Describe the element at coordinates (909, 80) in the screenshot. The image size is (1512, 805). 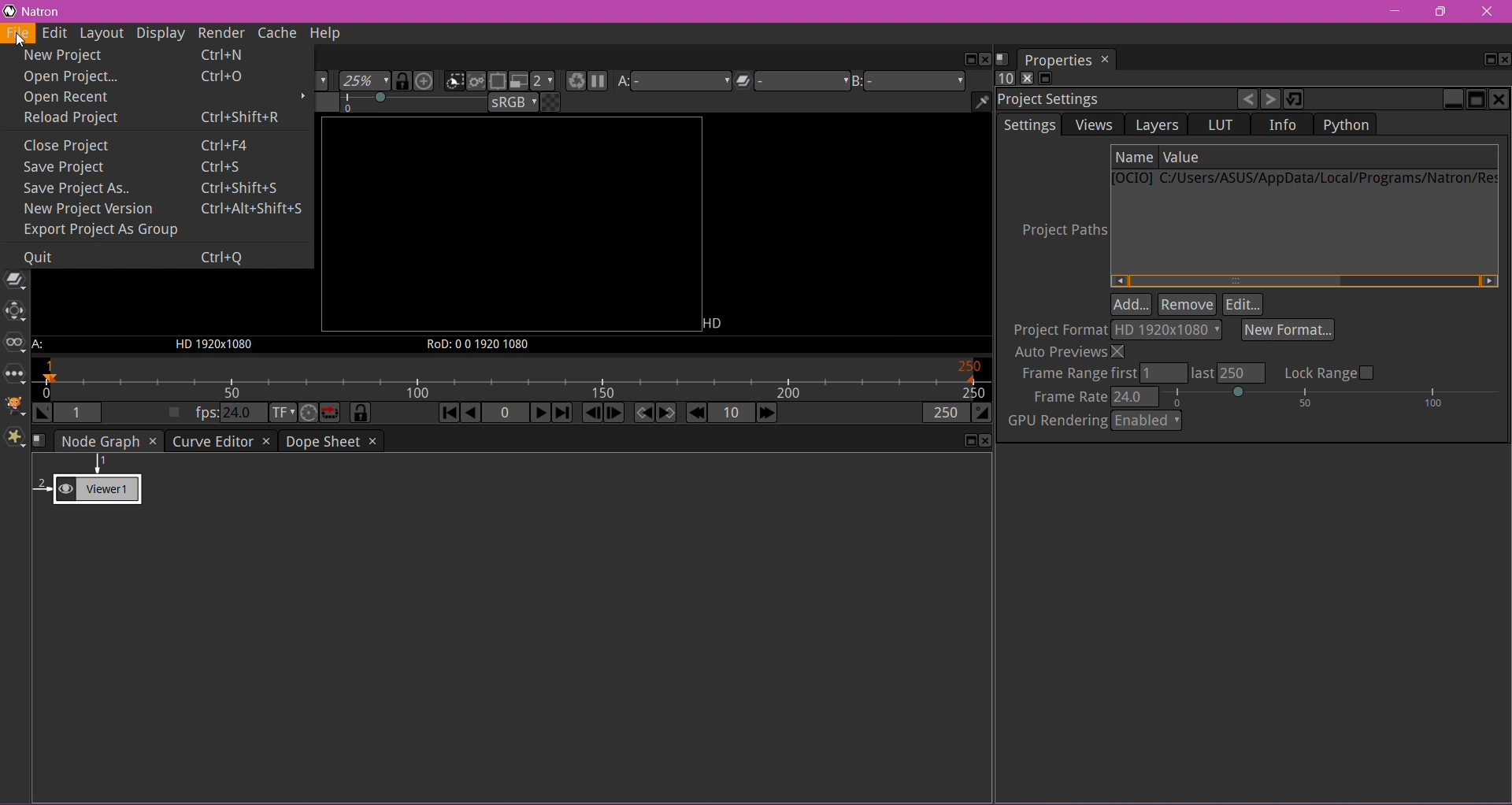
I see `Viewer Input B` at that location.